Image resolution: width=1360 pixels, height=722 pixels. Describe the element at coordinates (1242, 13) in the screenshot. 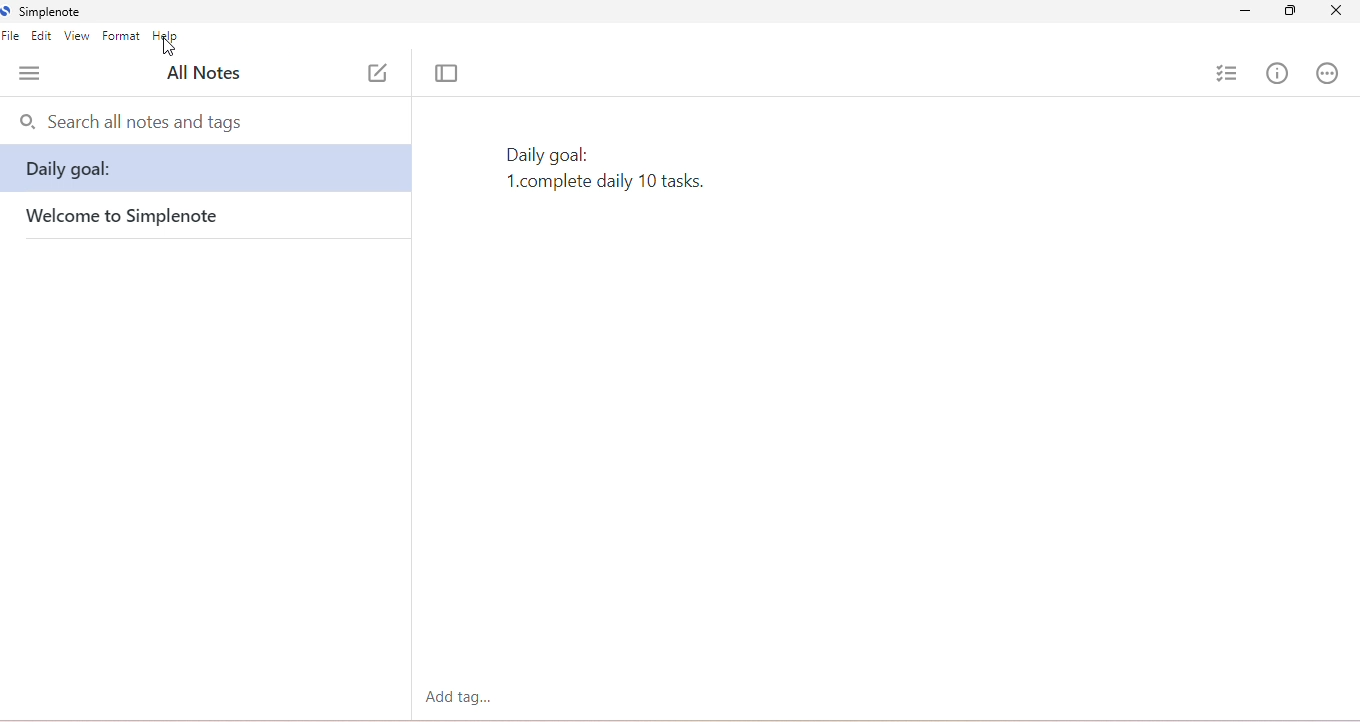

I see `minimize` at that location.